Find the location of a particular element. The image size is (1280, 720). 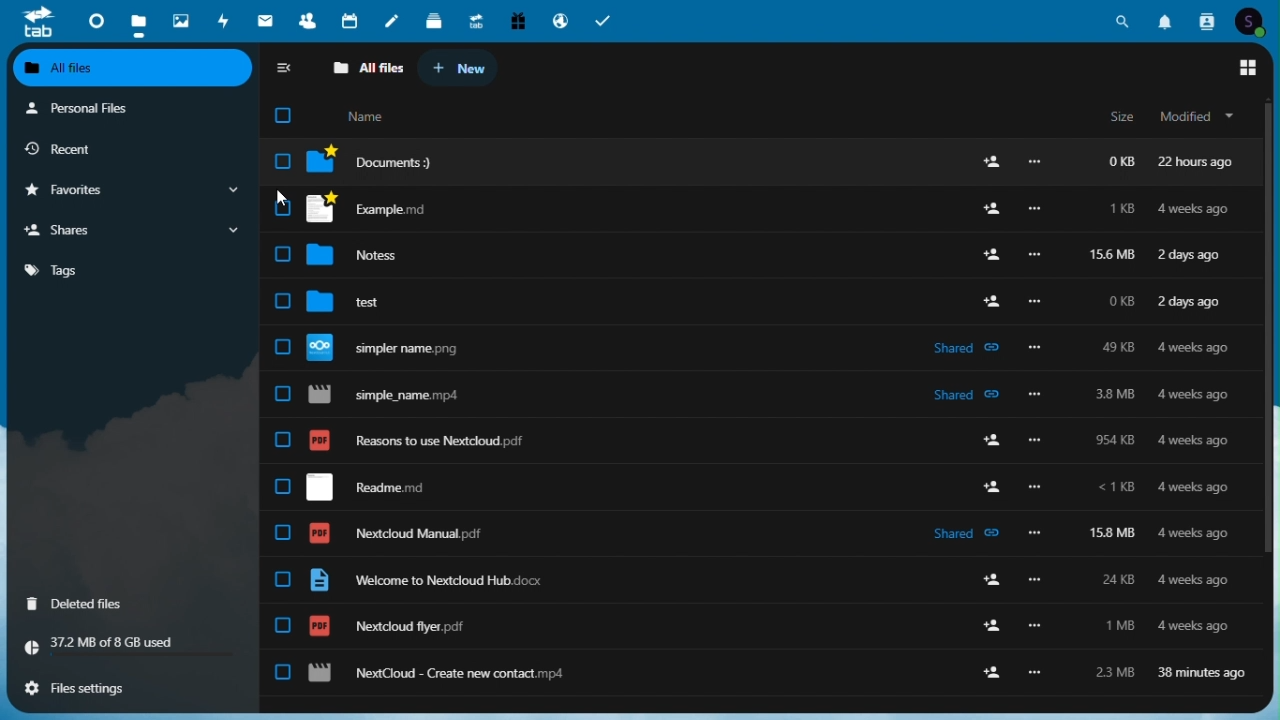

4 weeks ago is located at coordinates (1195, 626).